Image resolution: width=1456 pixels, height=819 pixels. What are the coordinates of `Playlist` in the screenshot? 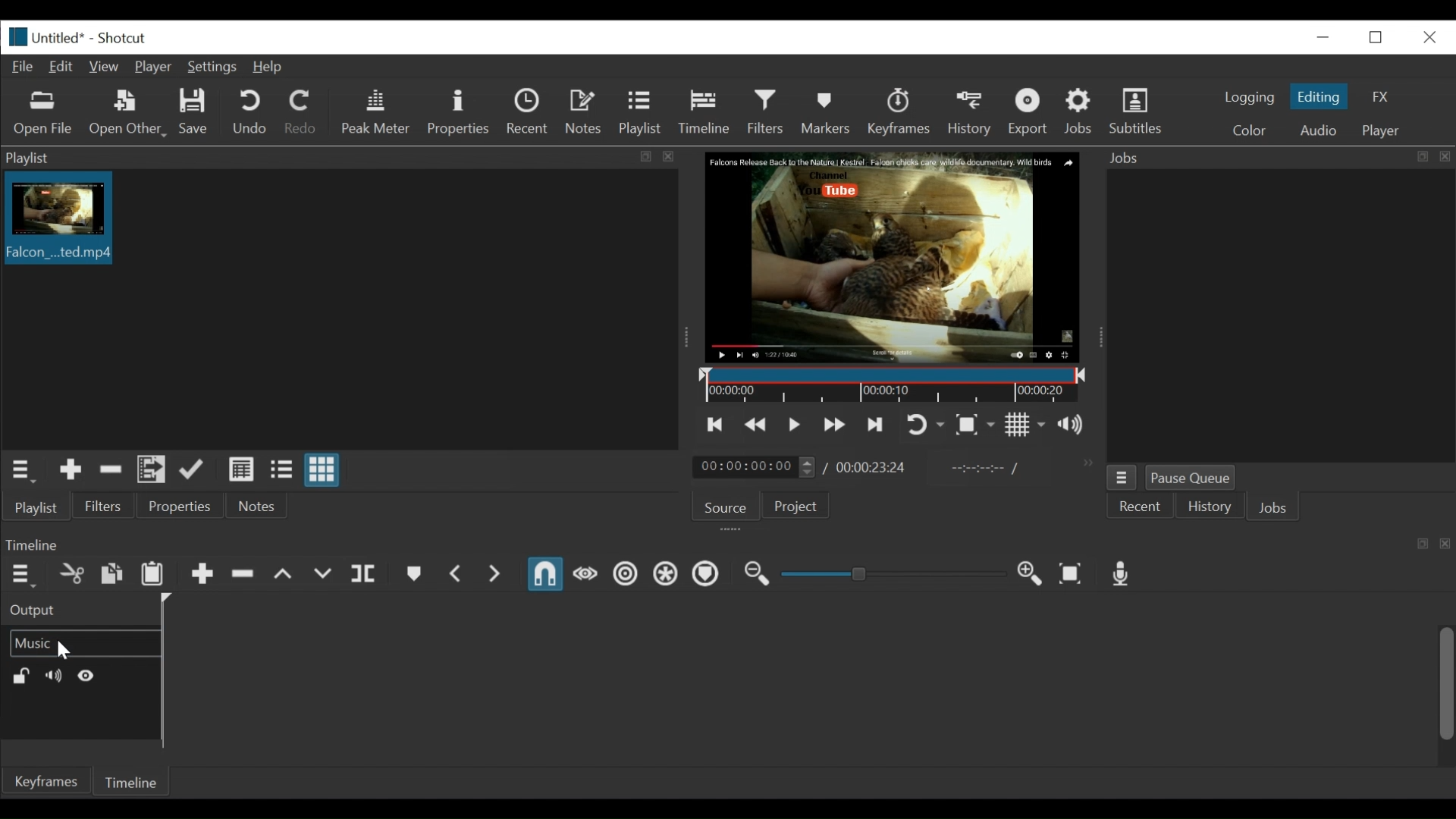 It's located at (644, 115).